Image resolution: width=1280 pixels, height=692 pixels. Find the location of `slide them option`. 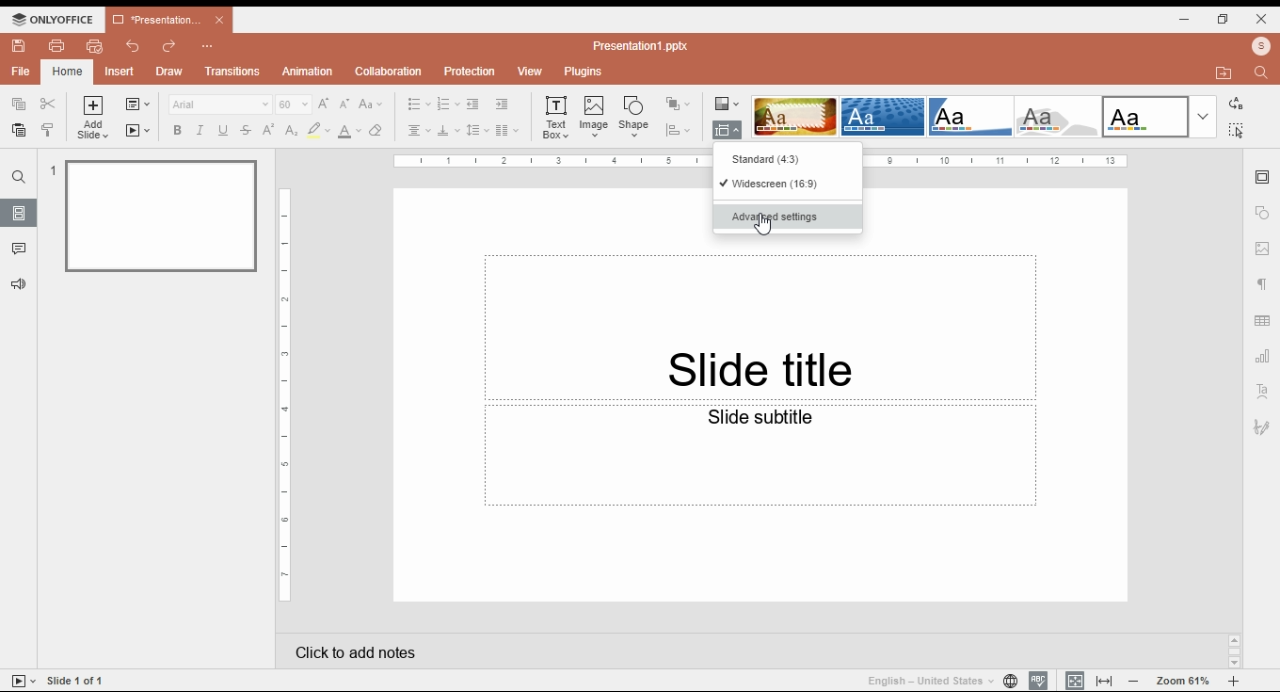

slide them option is located at coordinates (1061, 117).